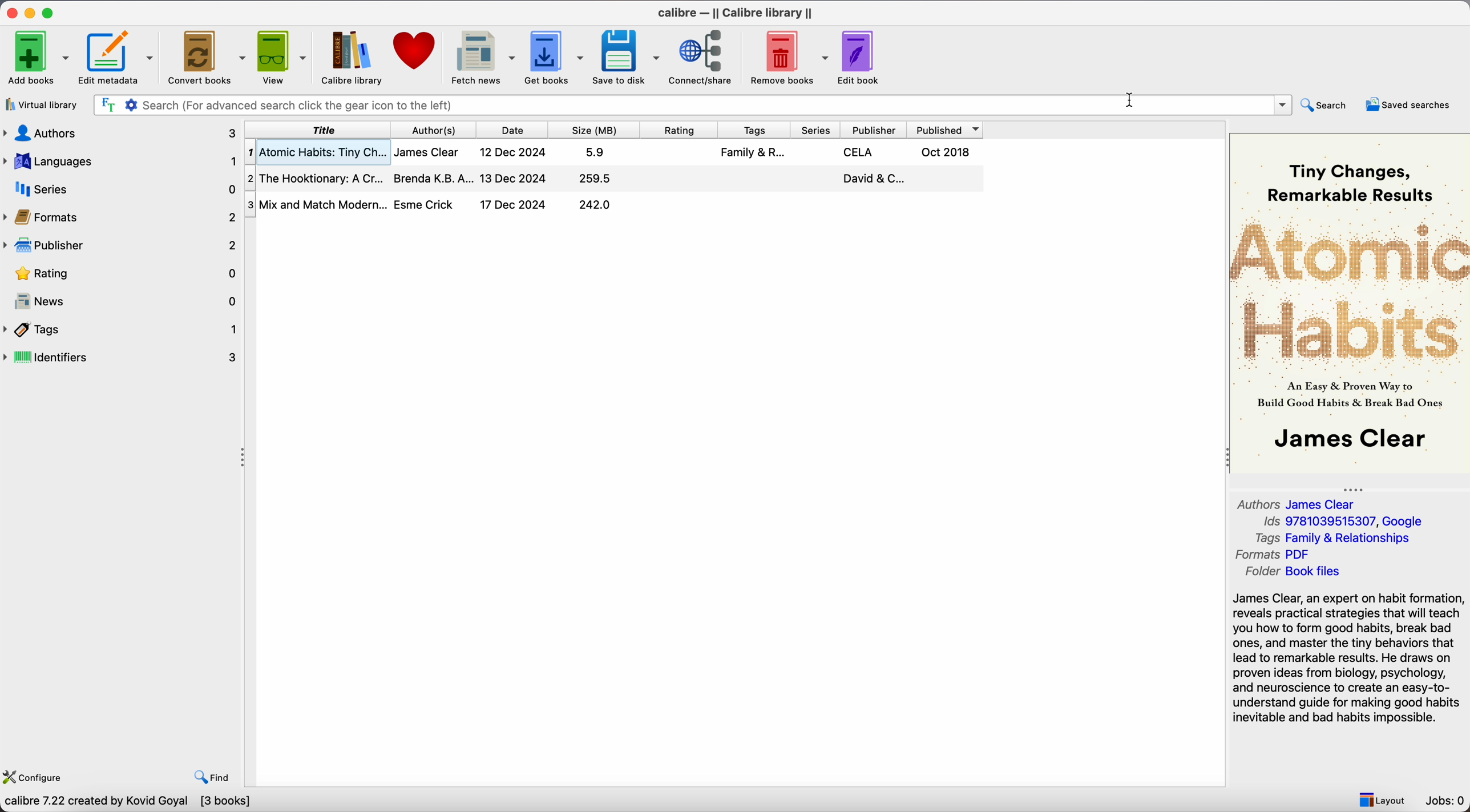  What do you see at coordinates (693, 104) in the screenshot?
I see `search bar` at bounding box center [693, 104].